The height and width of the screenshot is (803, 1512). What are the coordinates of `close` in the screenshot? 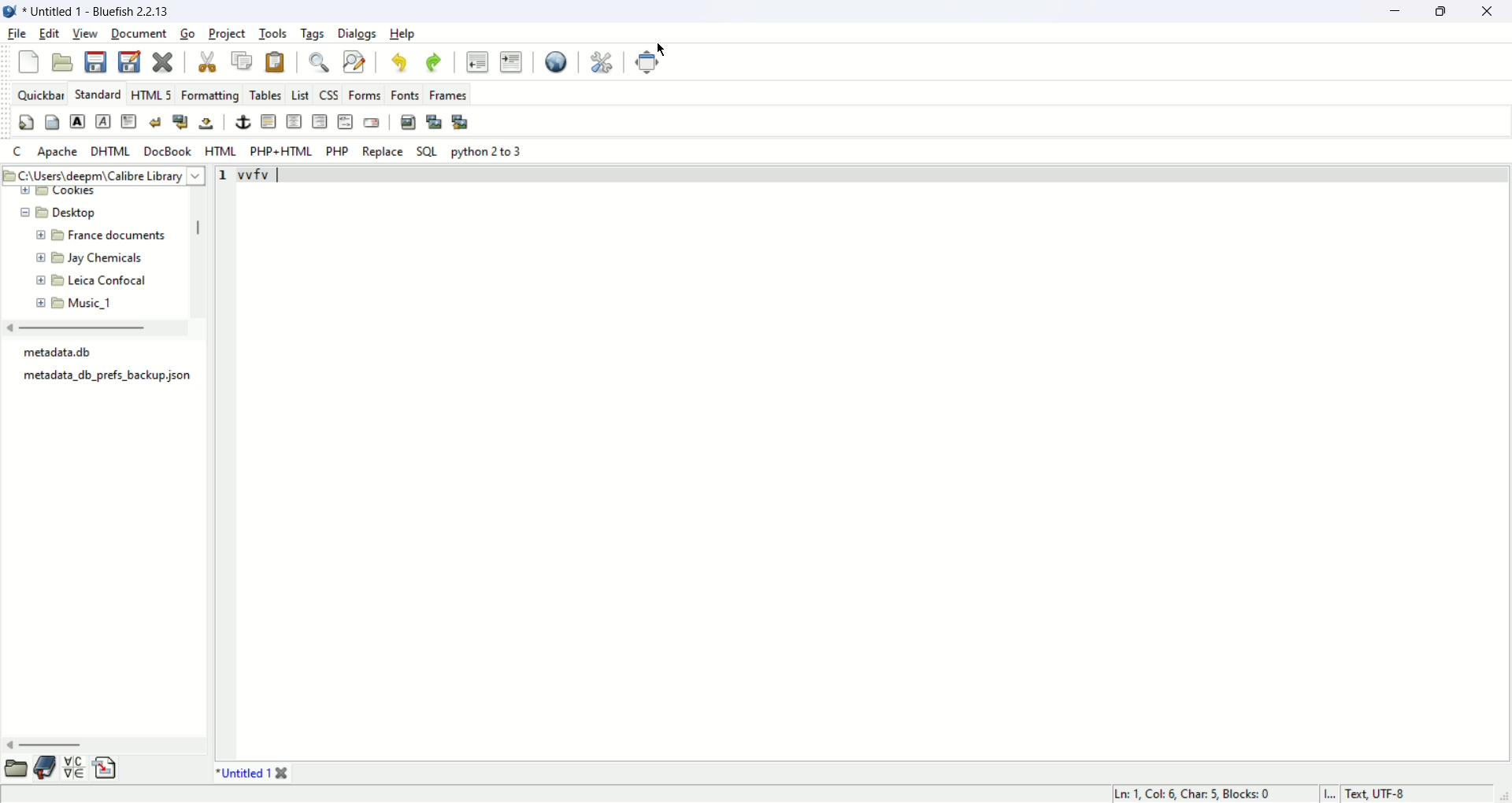 It's located at (1493, 13).